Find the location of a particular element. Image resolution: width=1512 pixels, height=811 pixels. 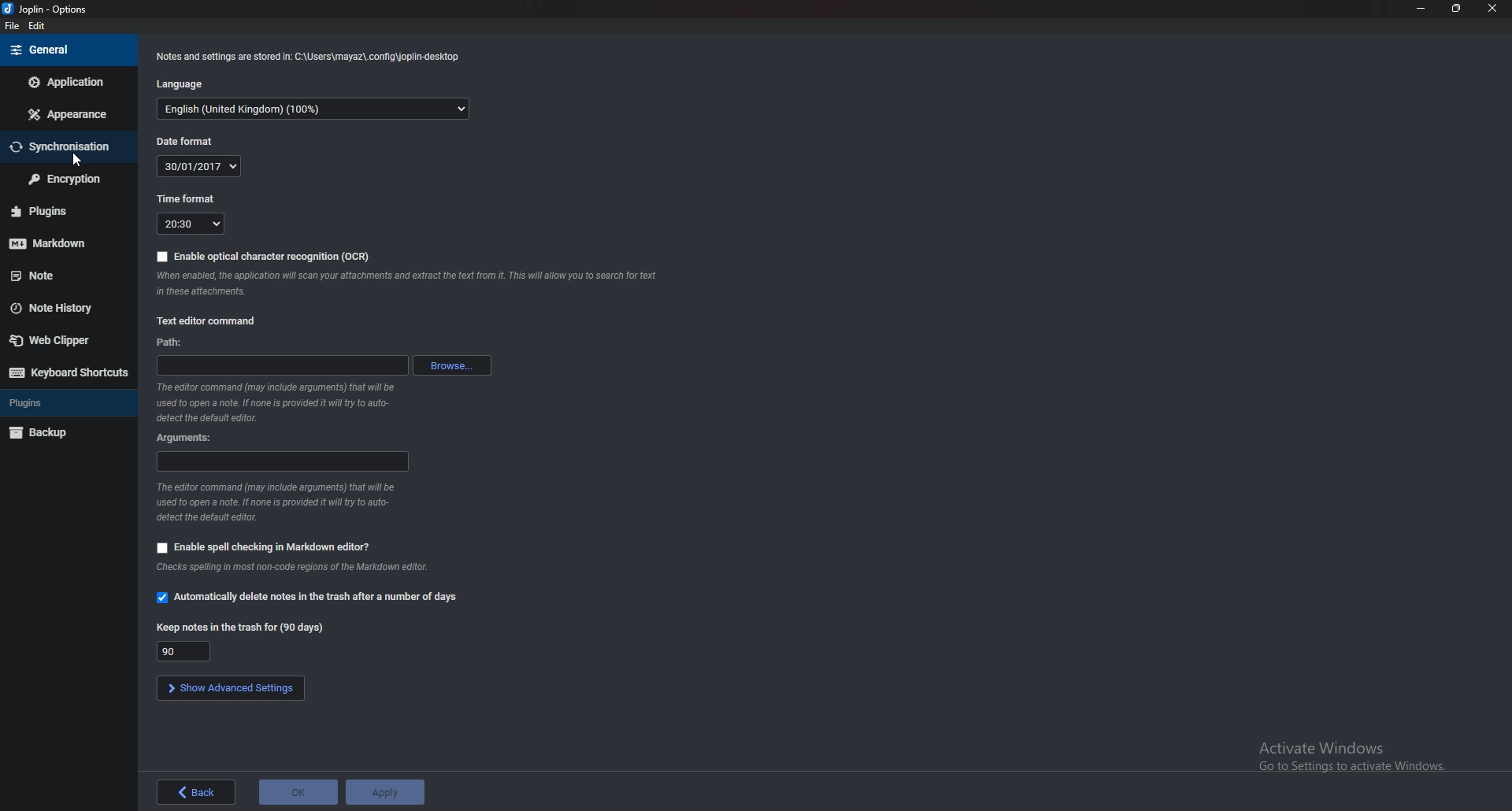

encryption is located at coordinates (66, 178).